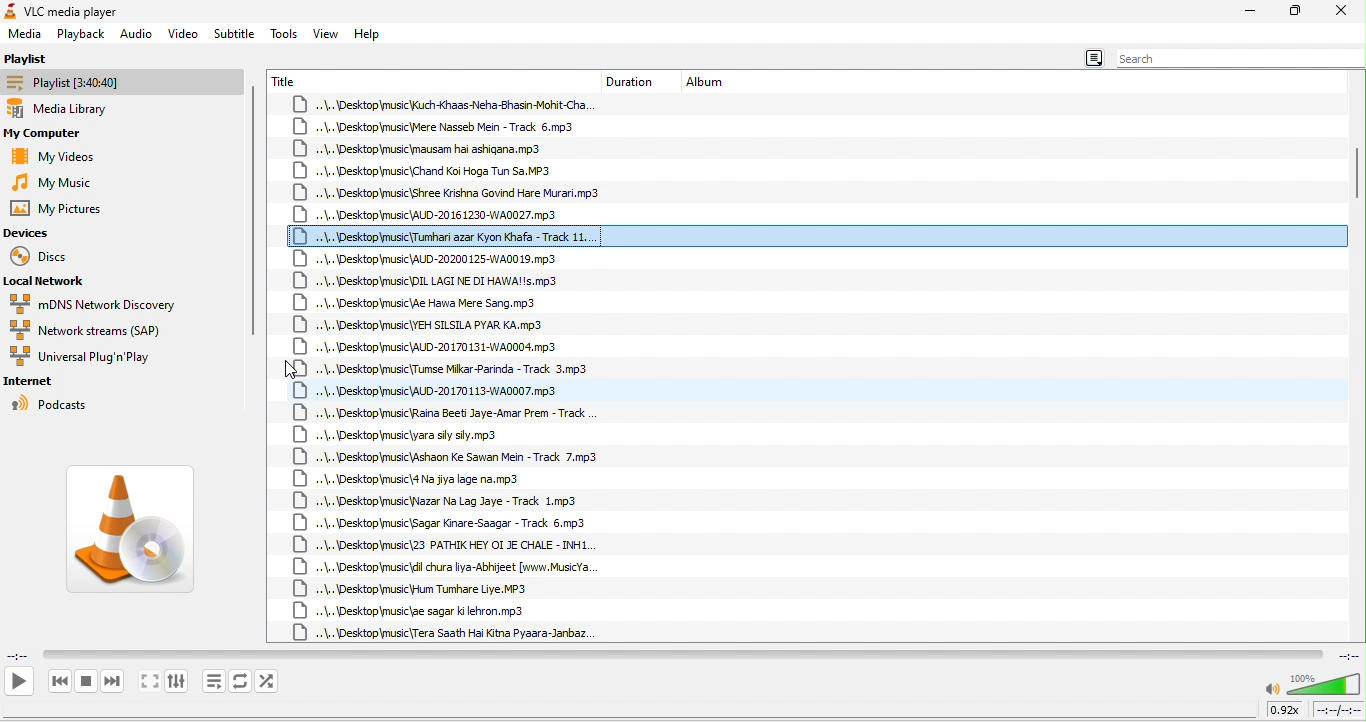  I want to click on +.\..\Desktop\music\AUD-20170113-WA0007.mp3, so click(433, 390).